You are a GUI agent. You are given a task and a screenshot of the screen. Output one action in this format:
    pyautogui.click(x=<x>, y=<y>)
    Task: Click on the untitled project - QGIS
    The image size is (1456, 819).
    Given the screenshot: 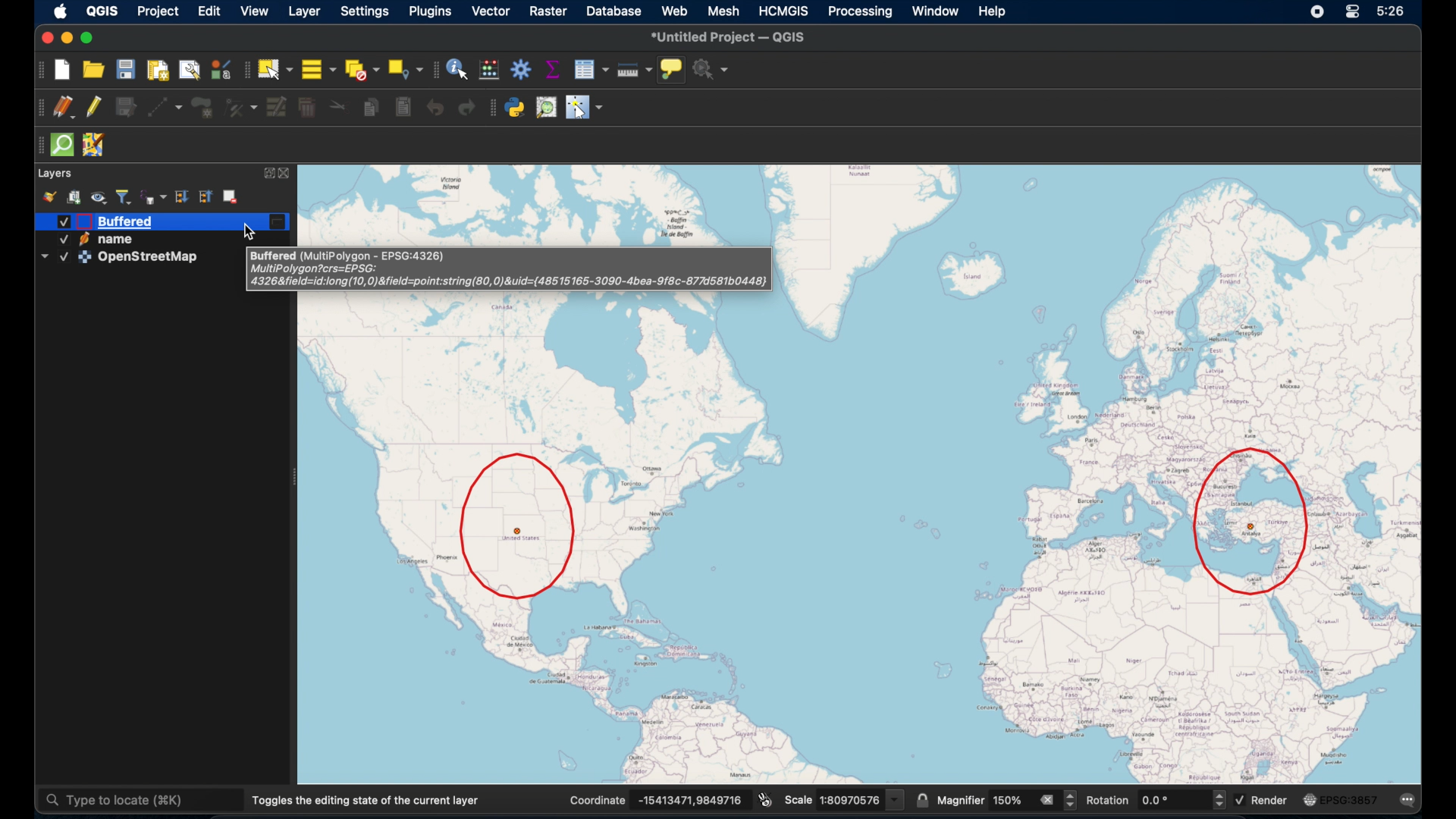 What is the action you would take?
    pyautogui.click(x=730, y=36)
    